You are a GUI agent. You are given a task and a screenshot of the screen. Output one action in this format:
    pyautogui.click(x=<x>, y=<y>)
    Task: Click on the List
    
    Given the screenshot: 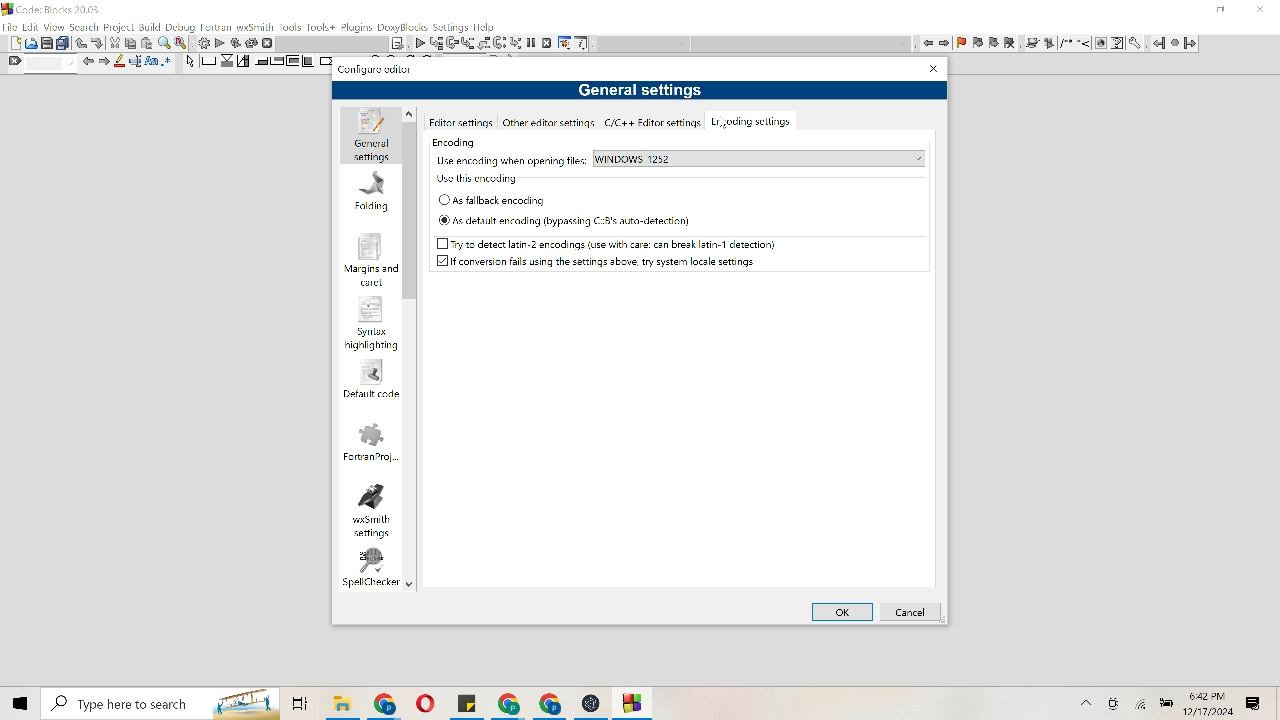 What is the action you would take?
    pyautogui.click(x=475, y=43)
    